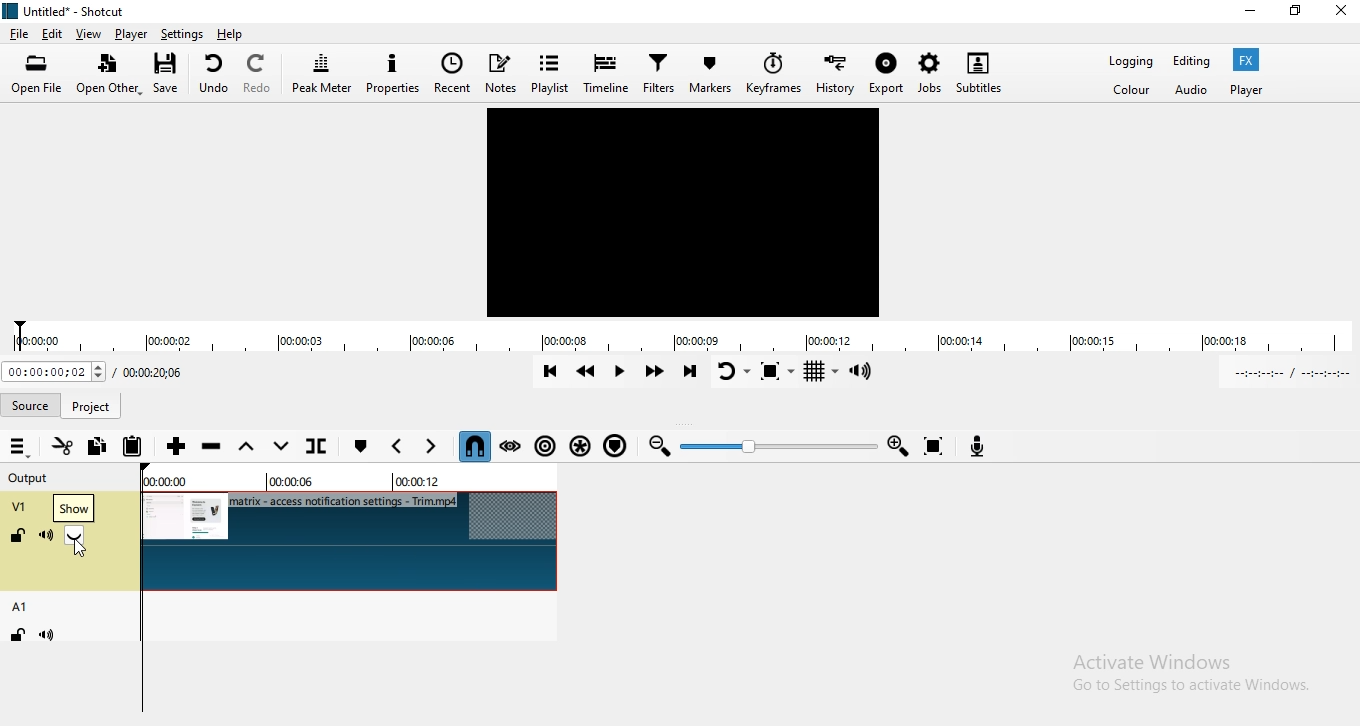 The width and height of the screenshot is (1360, 726). Describe the element at coordinates (656, 372) in the screenshot. I see `Play quickly forward` at that location.